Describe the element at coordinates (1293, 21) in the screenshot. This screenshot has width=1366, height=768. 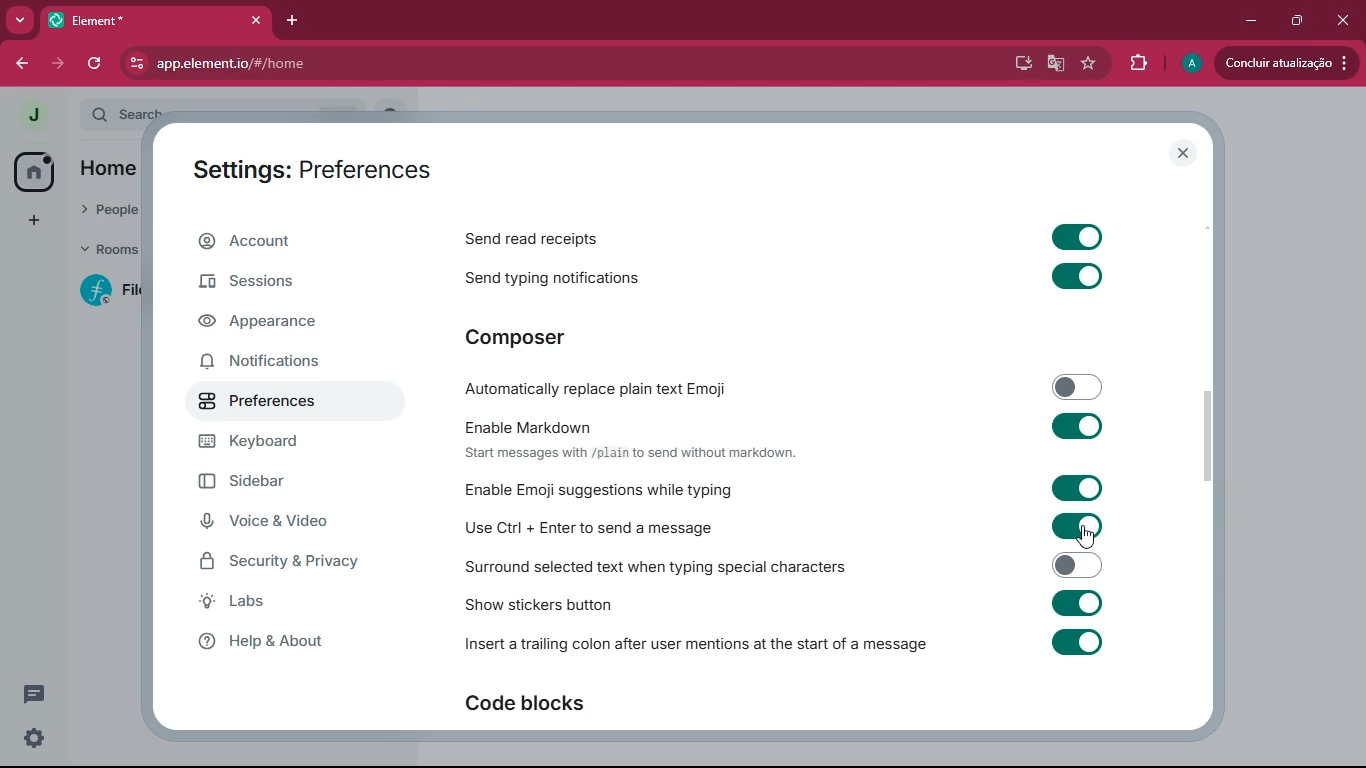
I see `maximize` at that location.